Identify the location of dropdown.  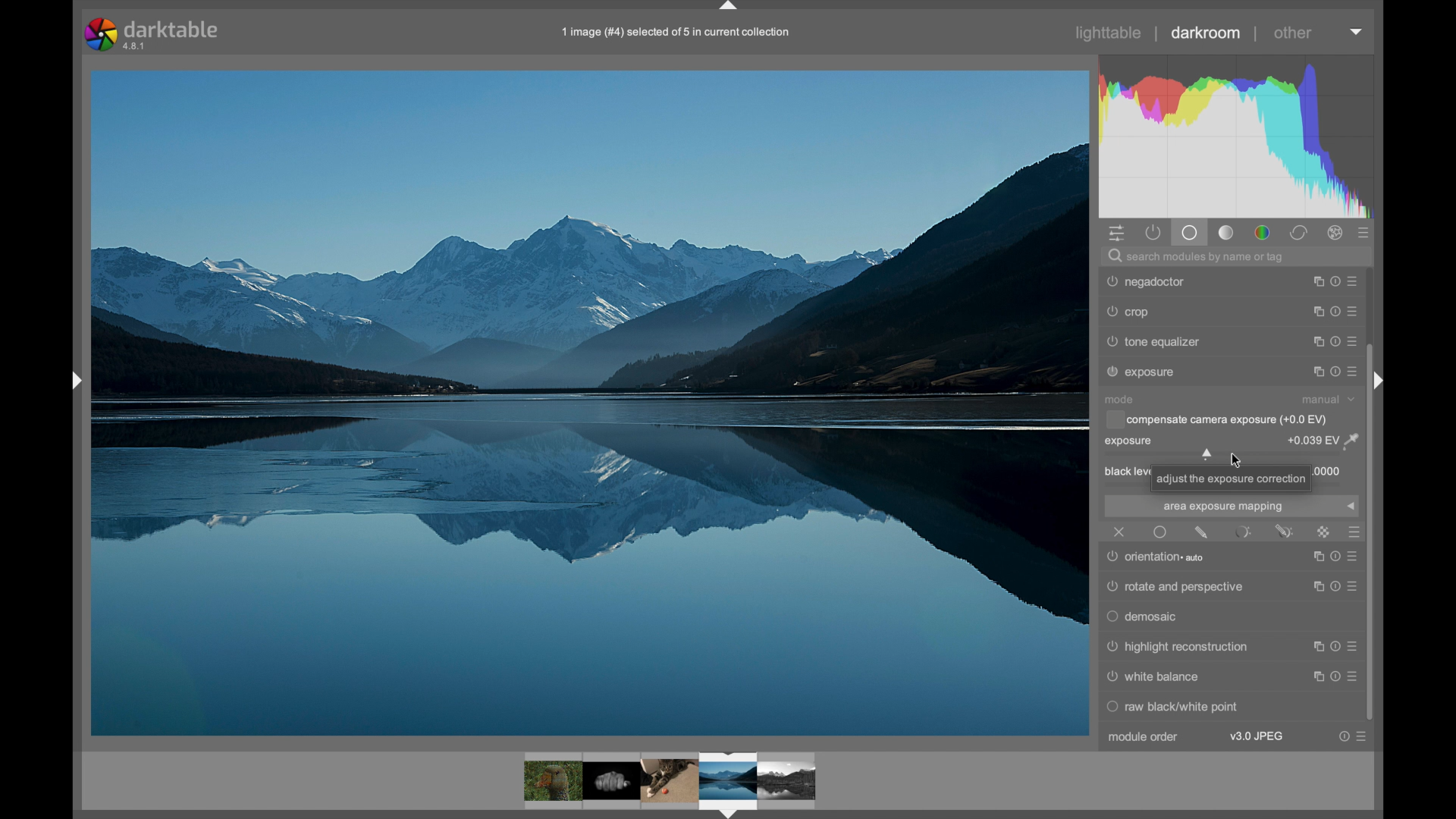
(1351, 507).